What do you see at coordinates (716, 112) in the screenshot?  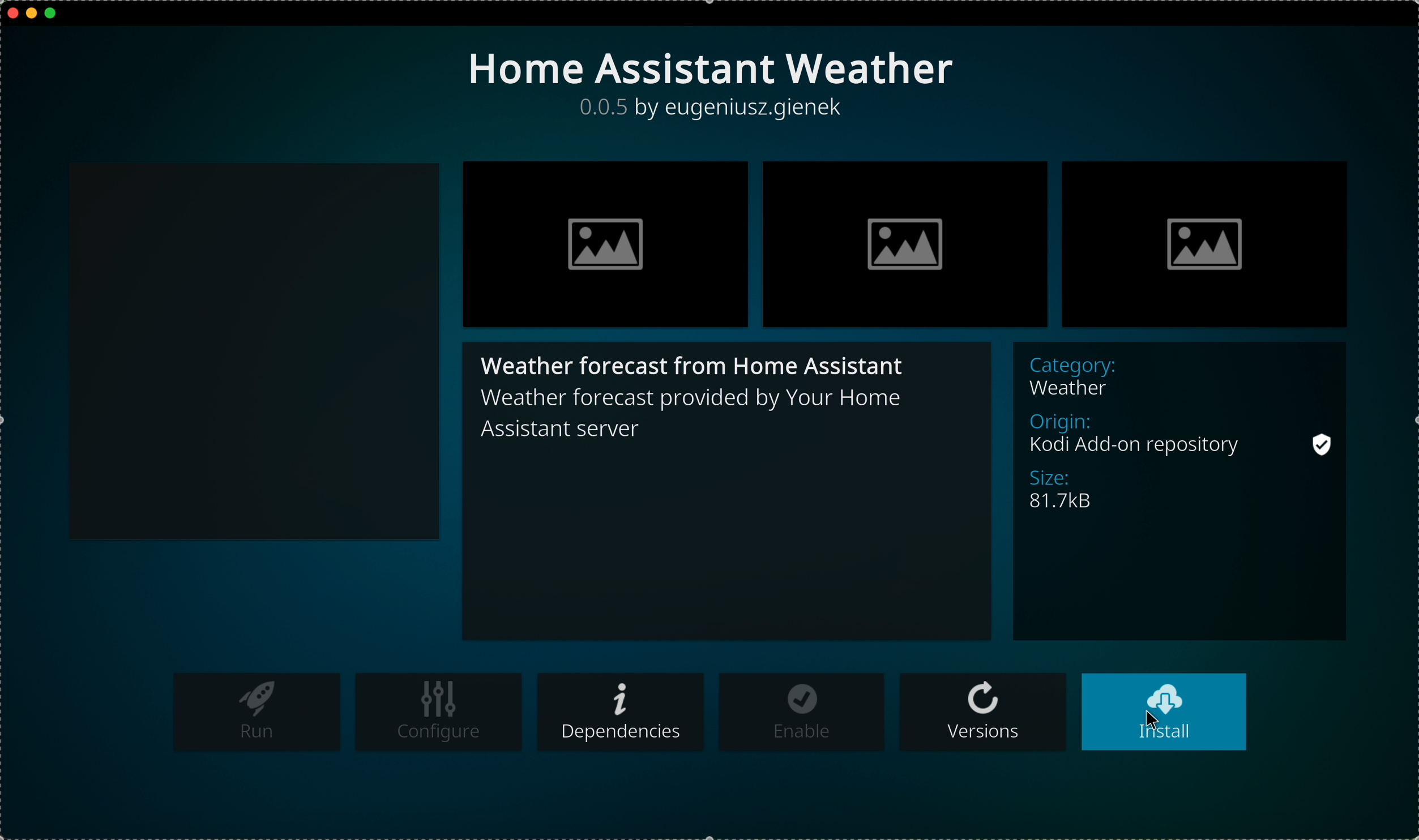 I see `description` at bounding box center [716, 112].